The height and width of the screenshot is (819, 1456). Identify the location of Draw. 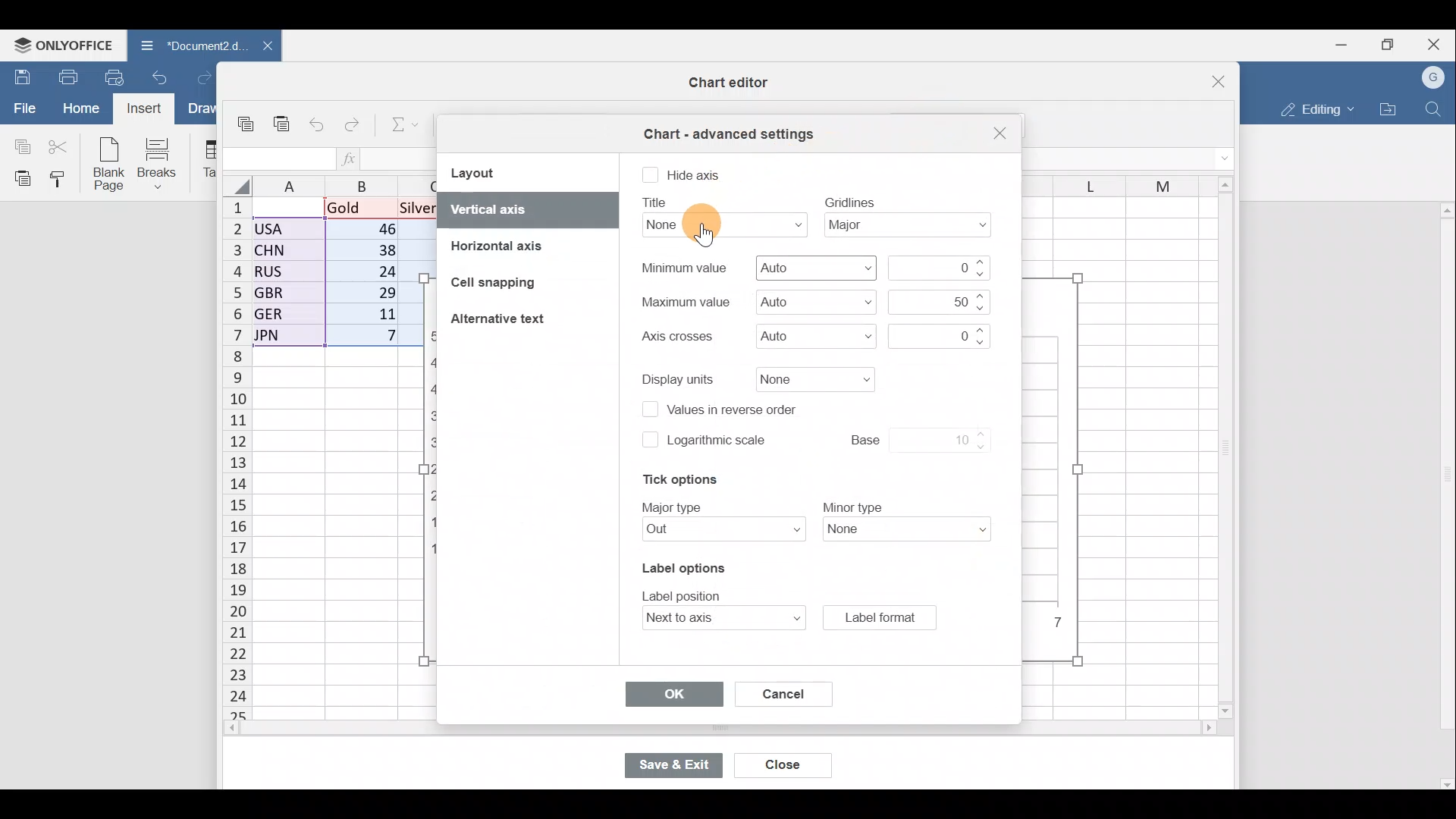
(199, 108).